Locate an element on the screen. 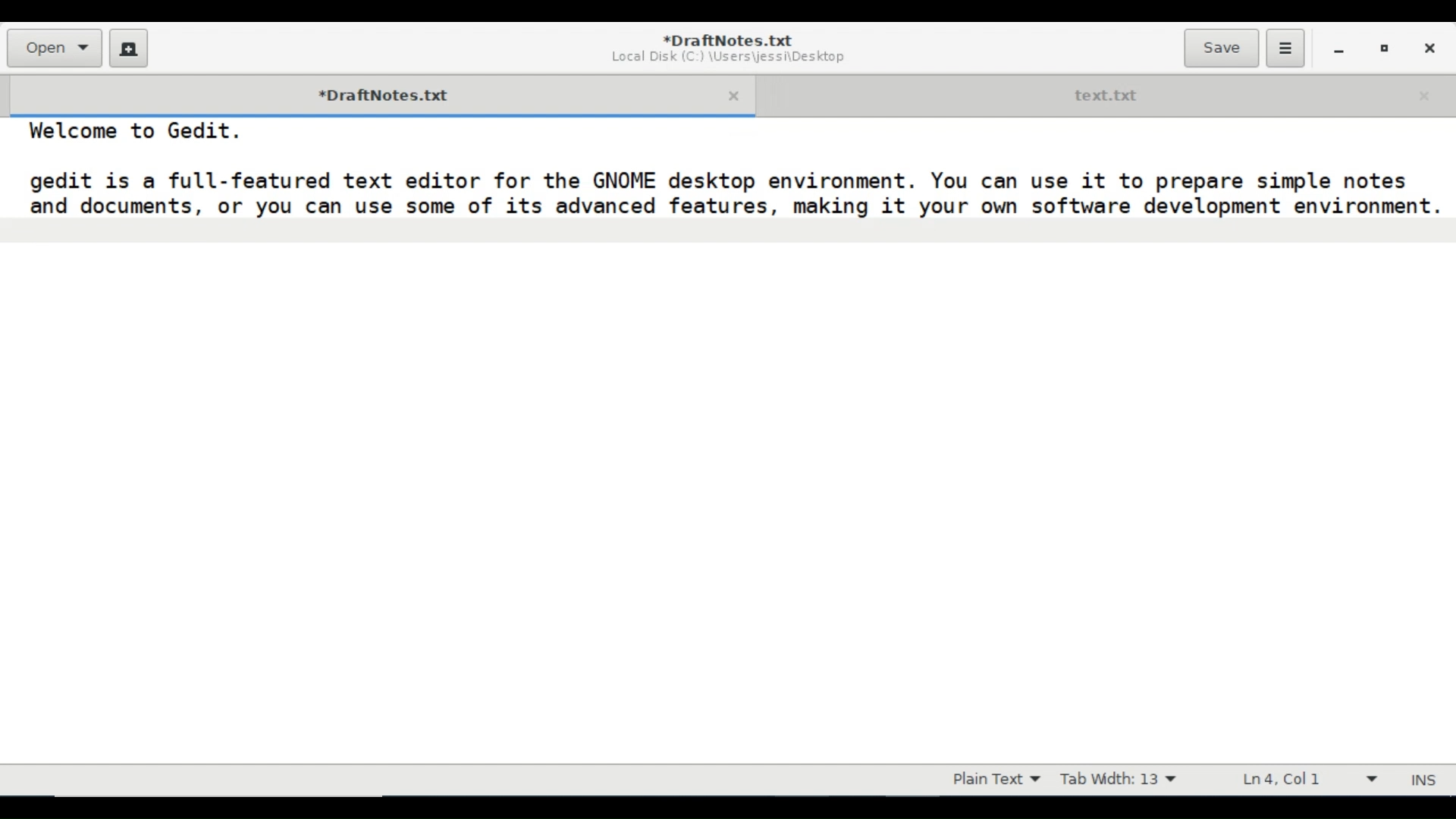  new line is located at coordinates (728, 231).